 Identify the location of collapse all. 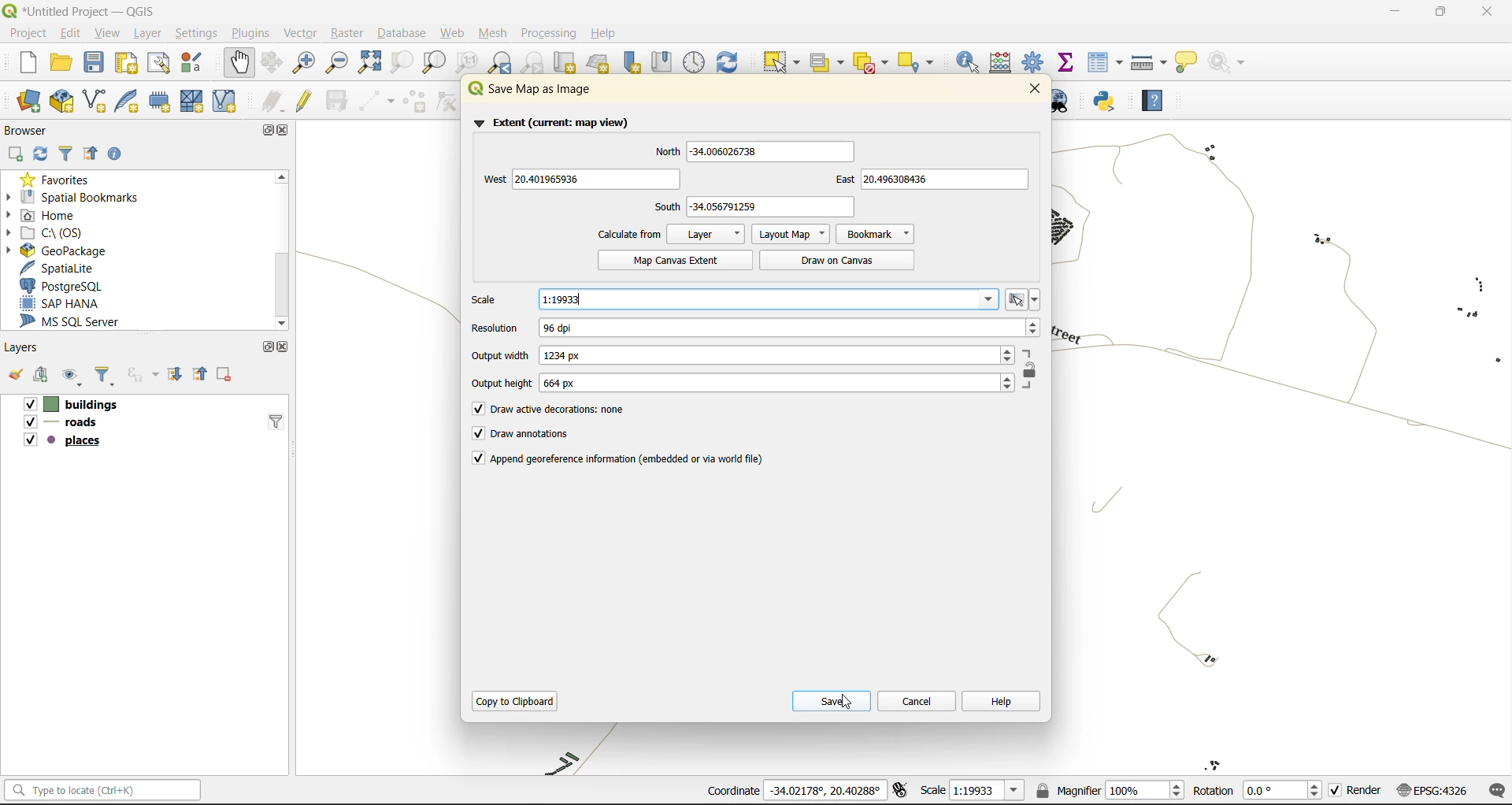
(199, 376).